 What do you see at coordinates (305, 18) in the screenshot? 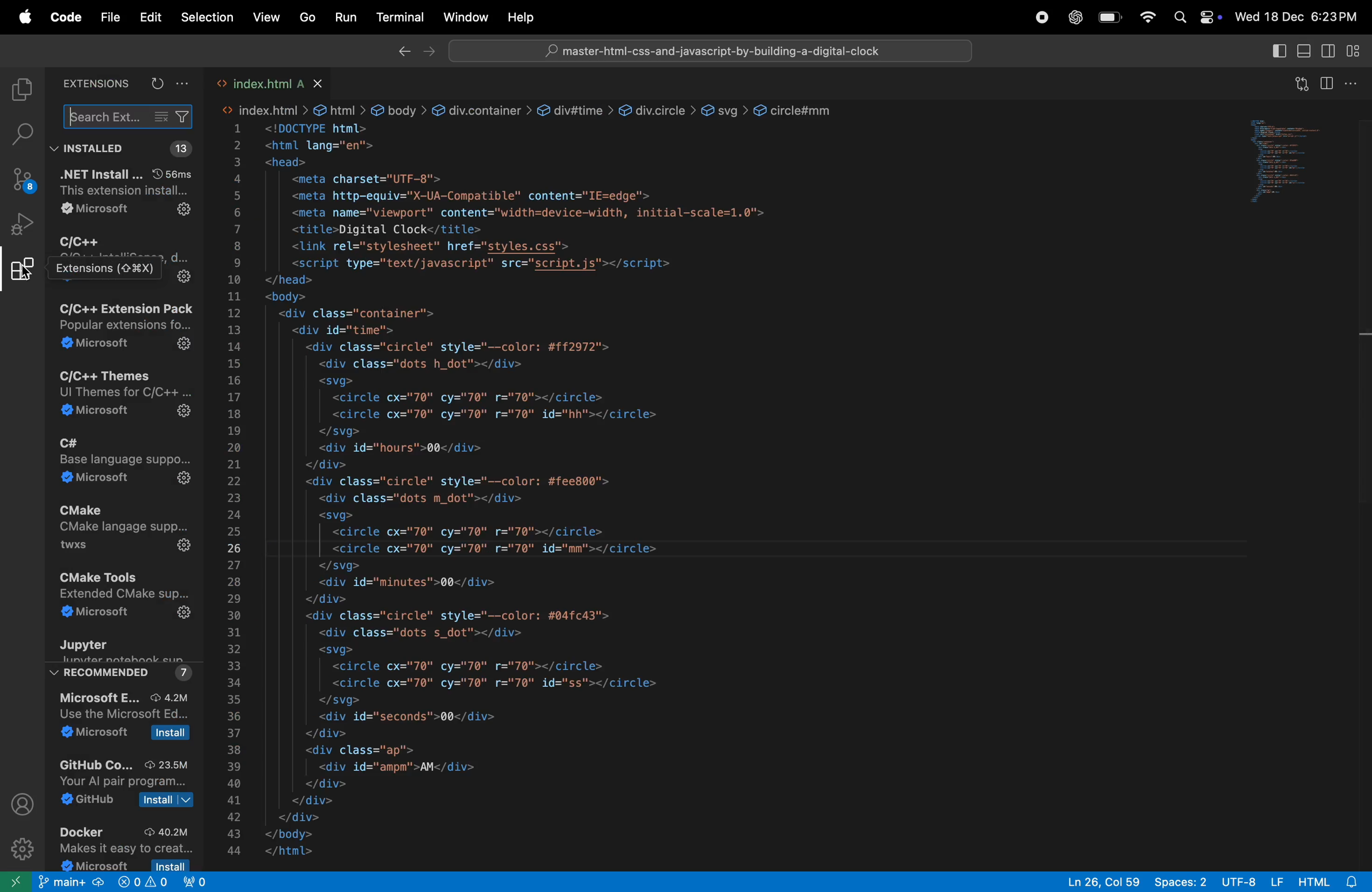
I see `go` at bounding box center [305, 18].